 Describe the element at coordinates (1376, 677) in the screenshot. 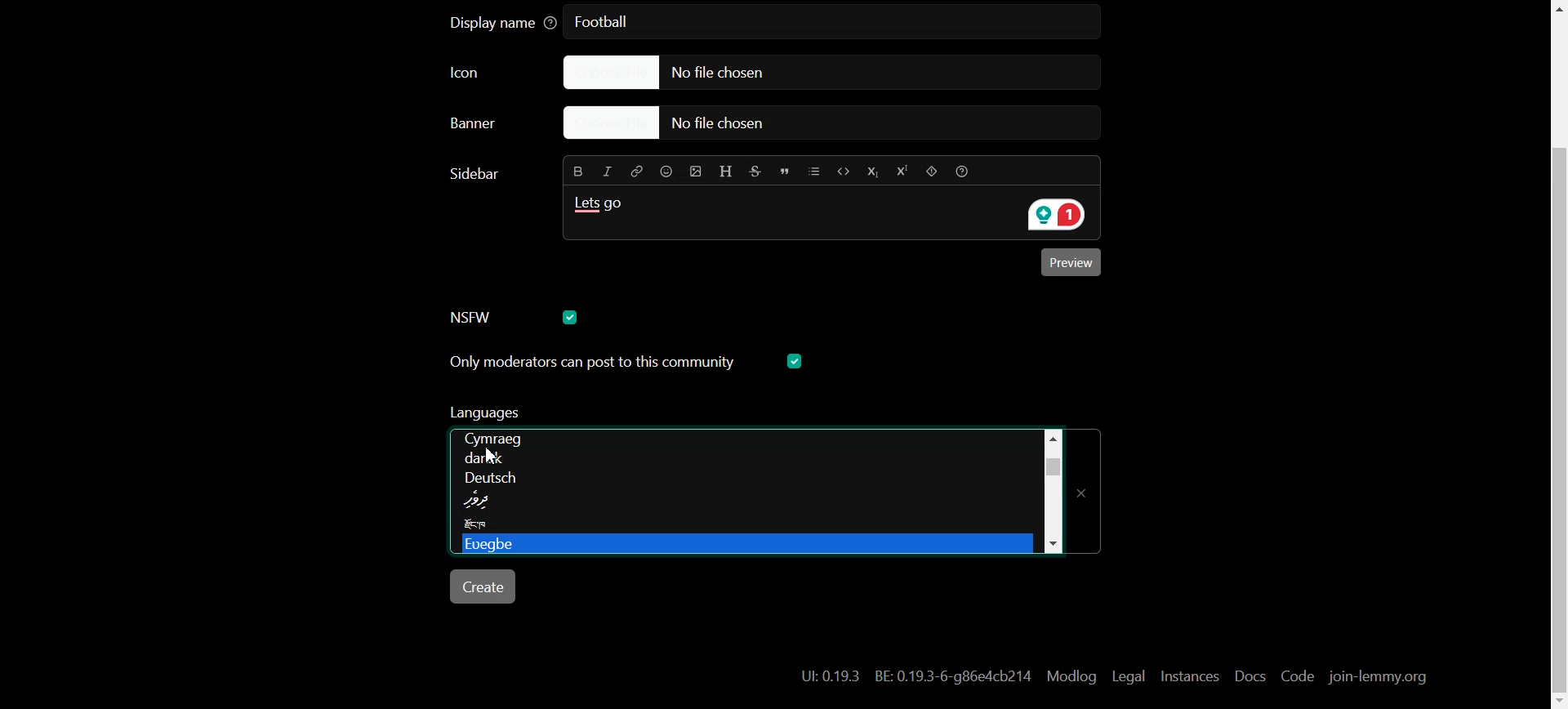

I see `Join-lemmy.org` at that location.